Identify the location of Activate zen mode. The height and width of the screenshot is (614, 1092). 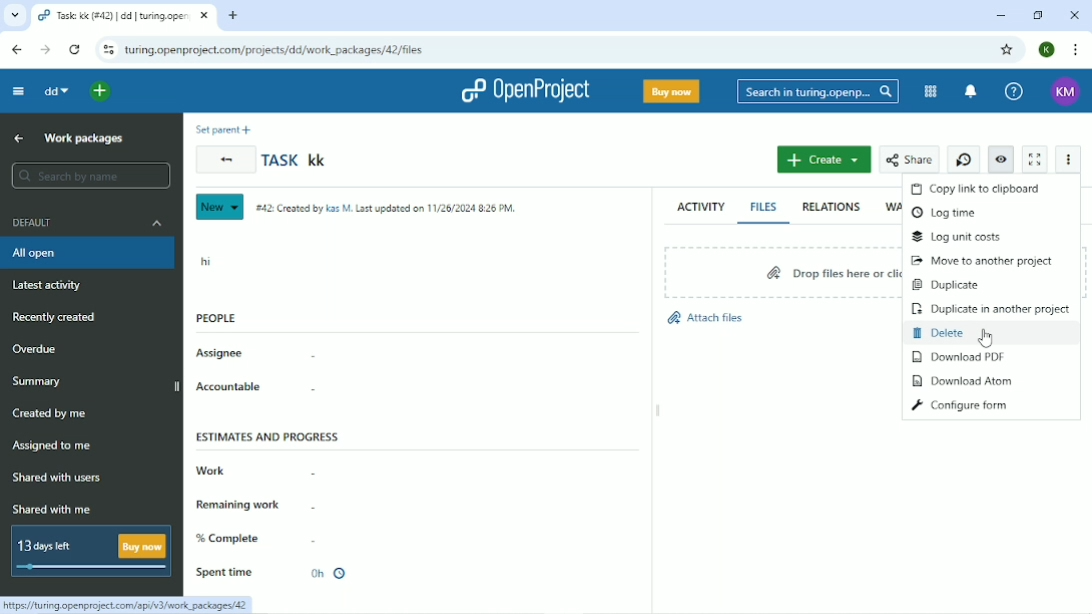
(1034, 159).